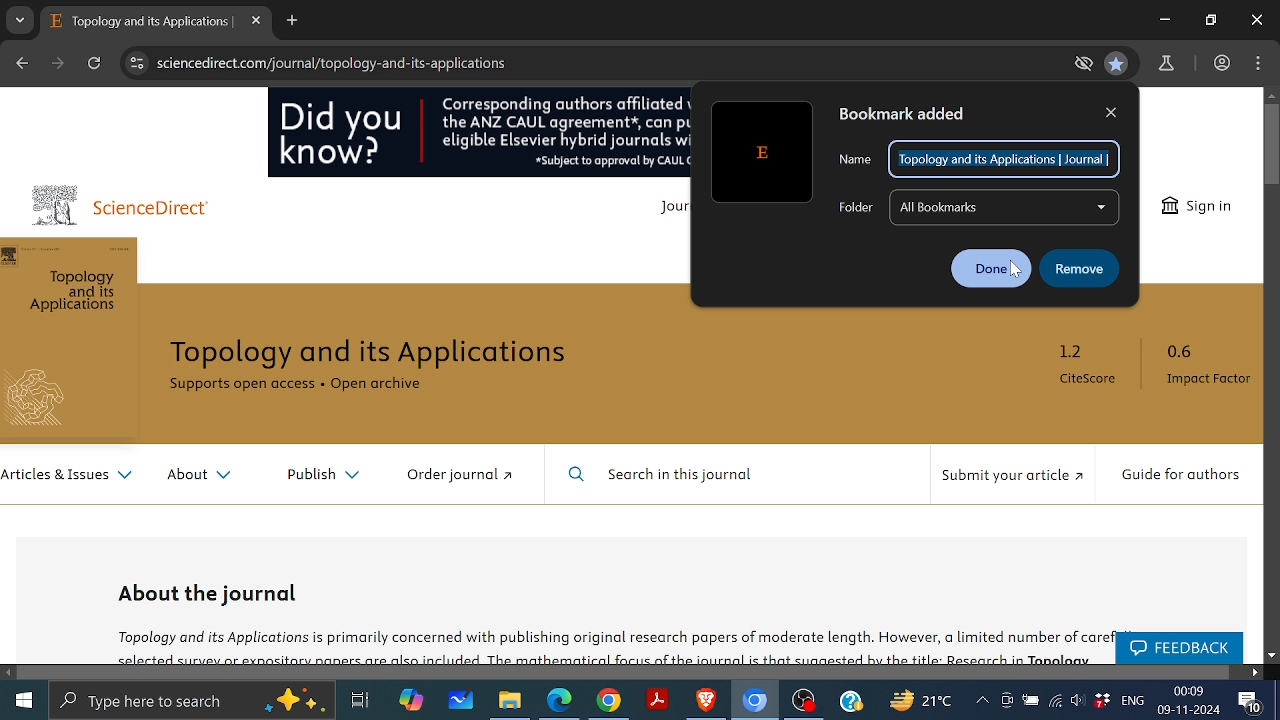 This screenshot has height=720, width=1280. What do you see at coordinates (408, 701) in the screenshot?
I see `Copilot` at bounding box center [408, 701].